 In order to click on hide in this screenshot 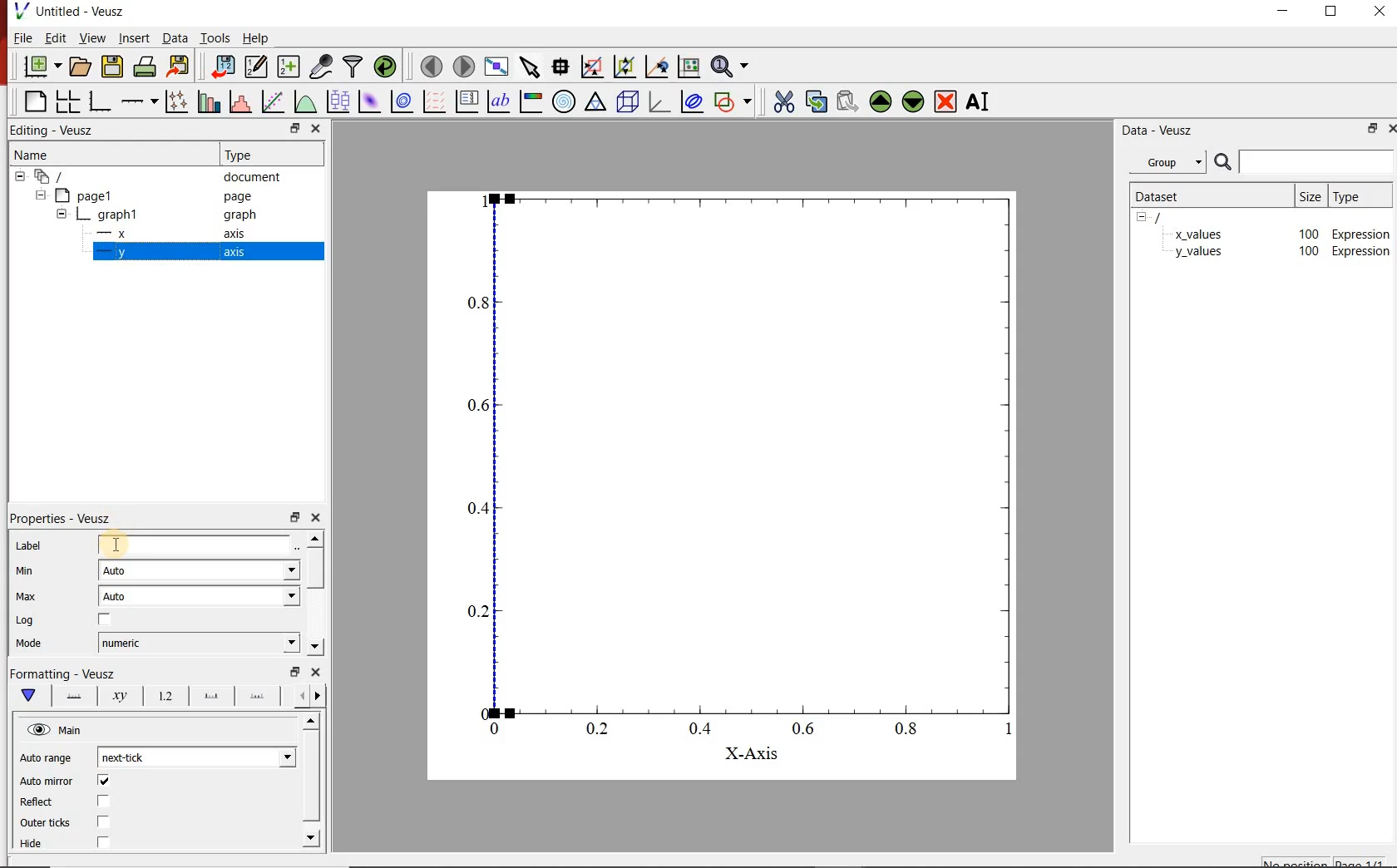, I will do `click(20, 176)`.